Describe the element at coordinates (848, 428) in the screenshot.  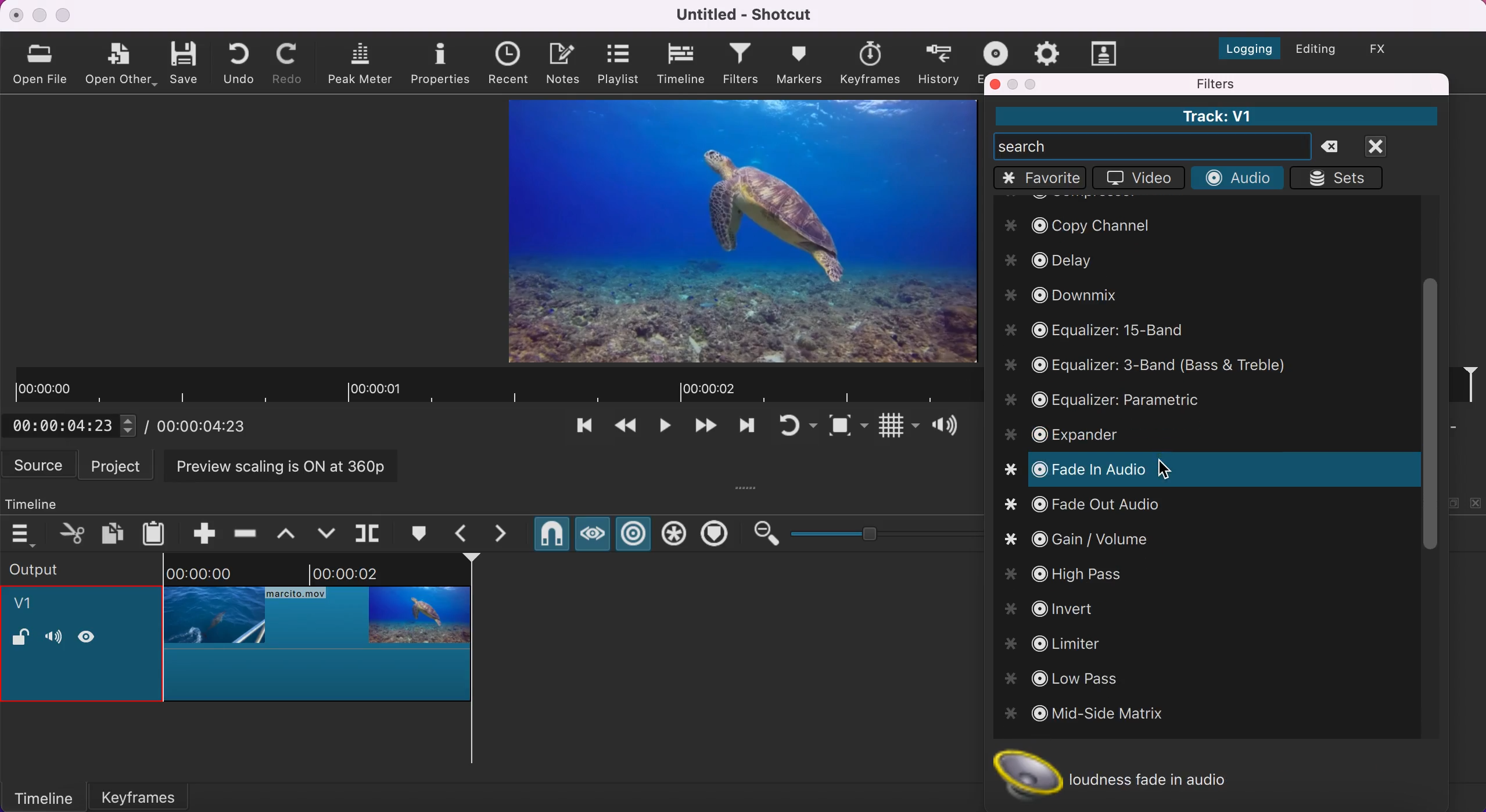
I see `toggle zoom` at that location.